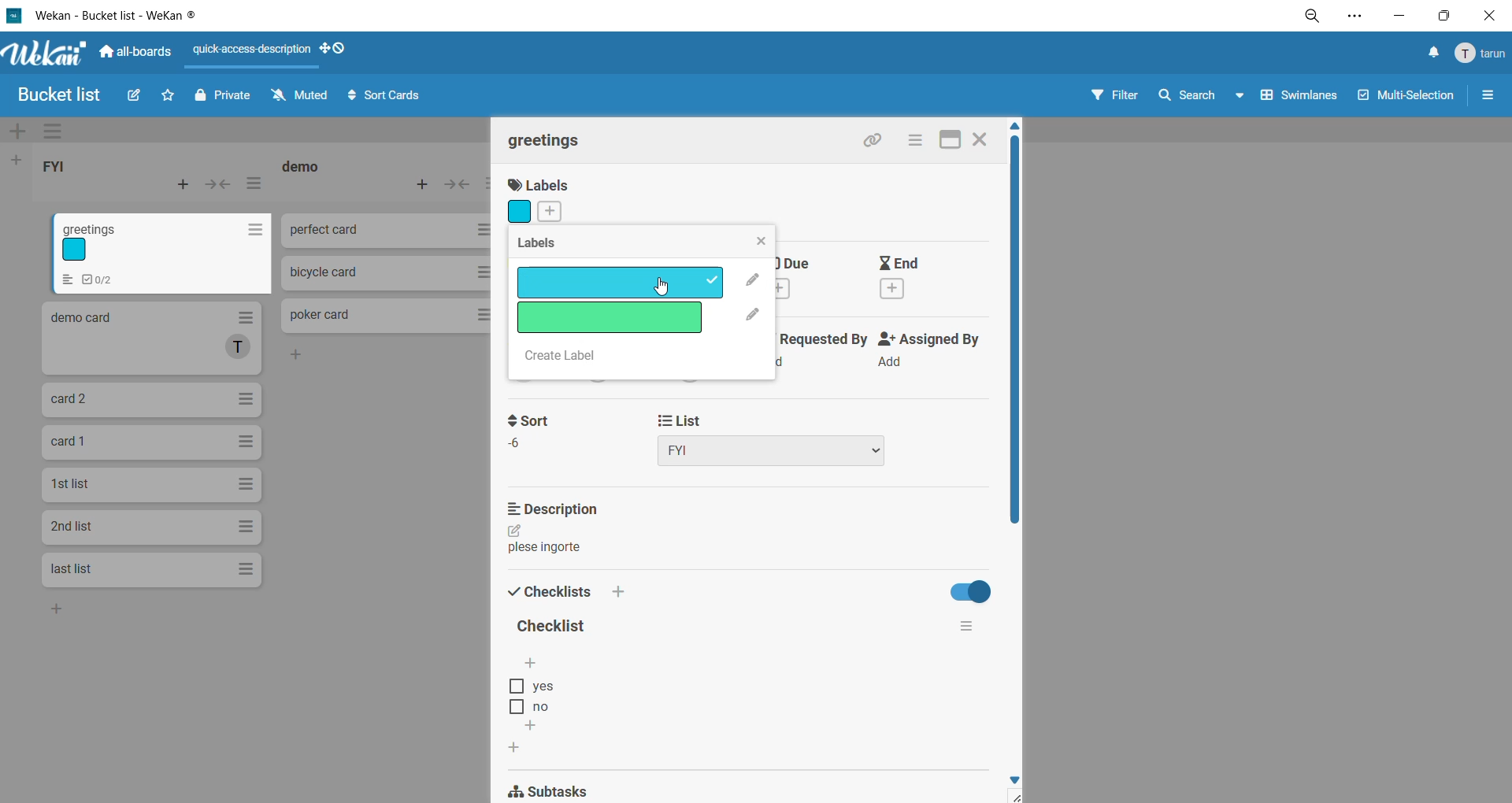  Describe the element at coordinates (1111, 96) in the screenshot. I see `filter` at that location.